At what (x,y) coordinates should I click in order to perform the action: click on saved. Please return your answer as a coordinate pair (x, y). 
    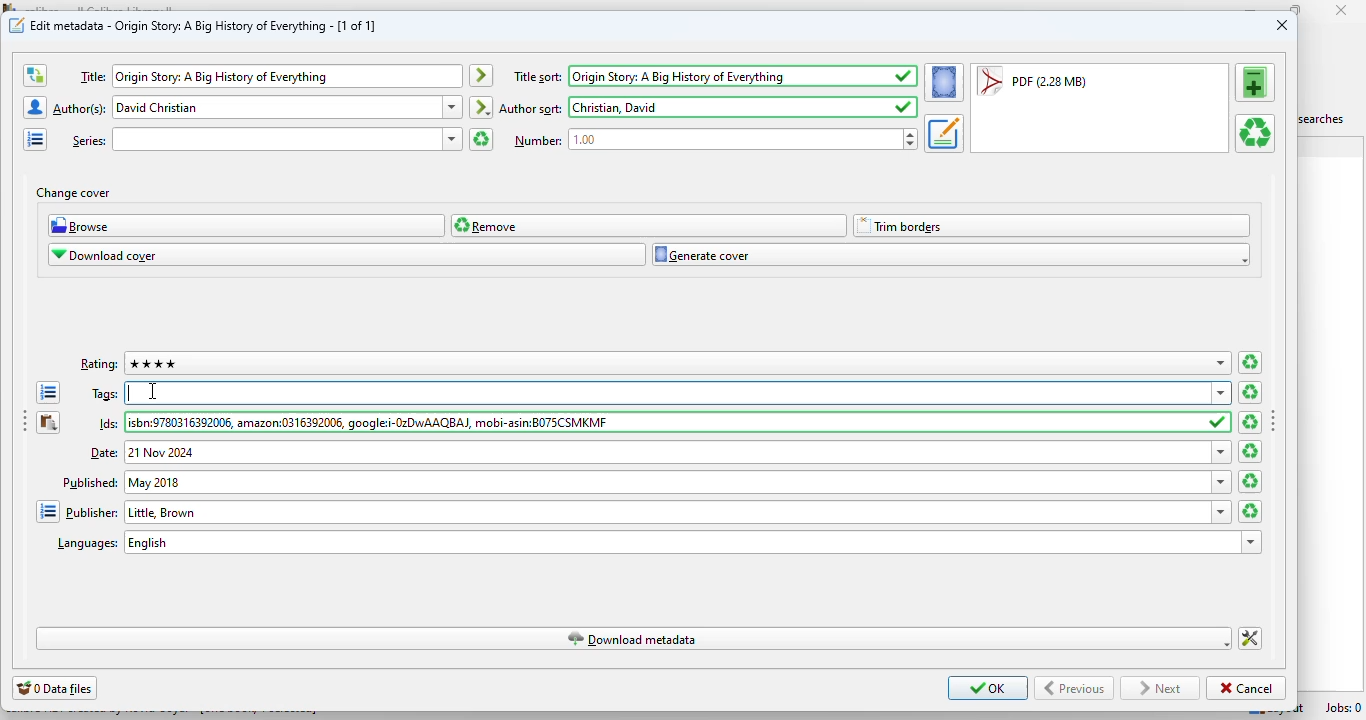
    Looking at the image, I should click on (904, 107).